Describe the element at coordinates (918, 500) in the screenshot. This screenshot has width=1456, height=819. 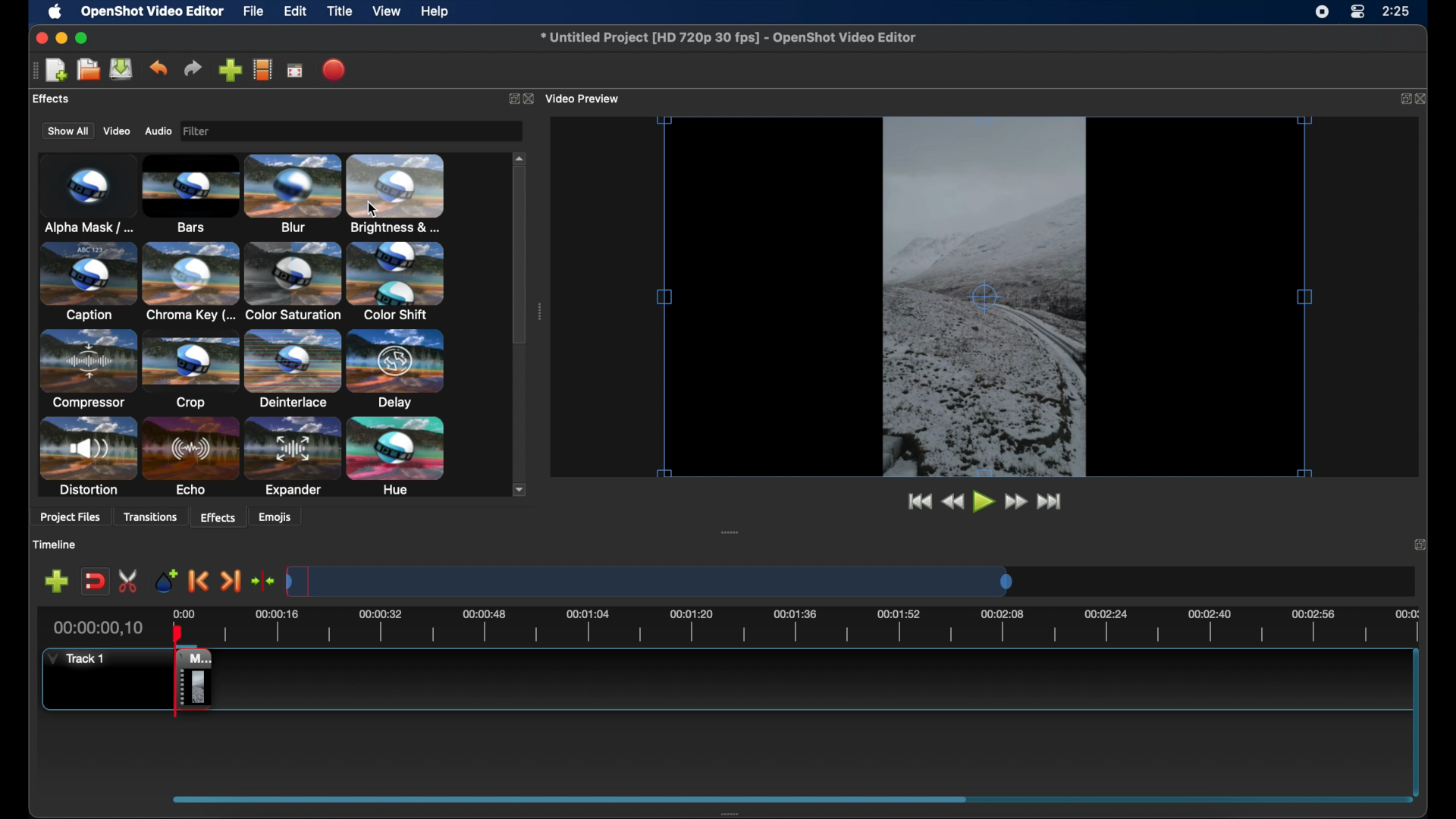
I see `jump to  start` at that location.